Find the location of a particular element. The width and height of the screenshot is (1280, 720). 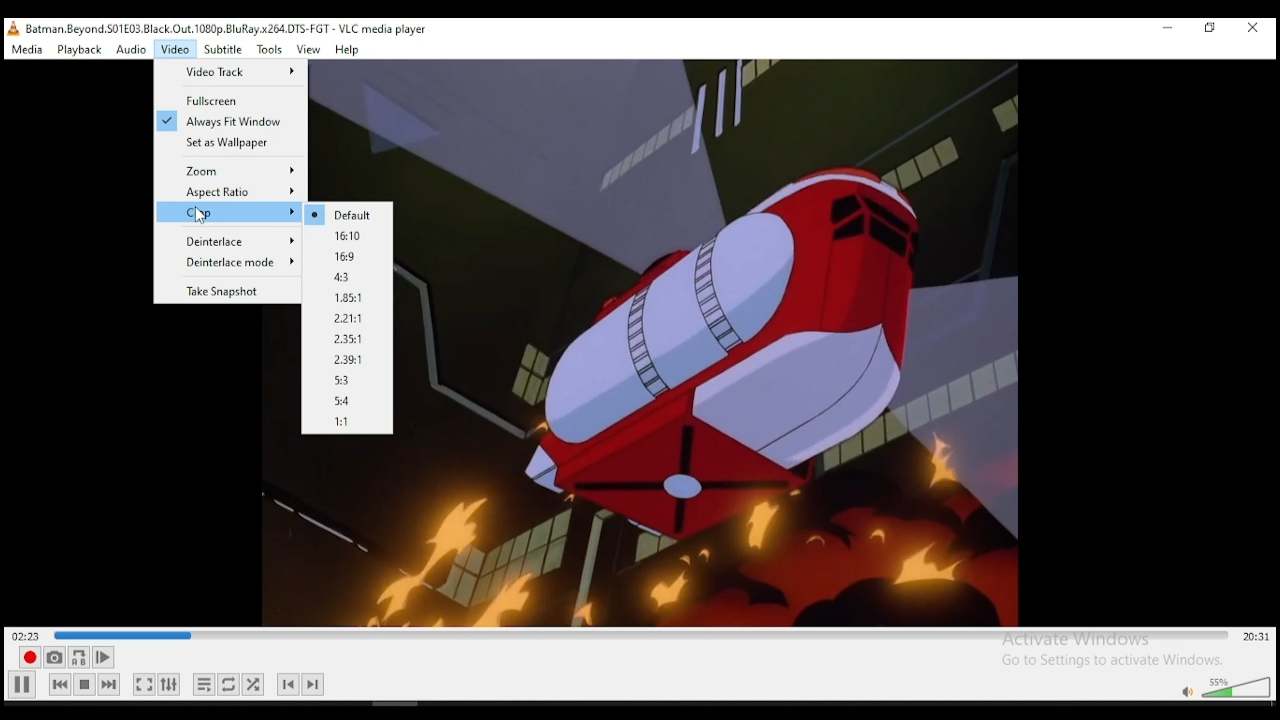

Zoom is located at coordinates (230, 171).